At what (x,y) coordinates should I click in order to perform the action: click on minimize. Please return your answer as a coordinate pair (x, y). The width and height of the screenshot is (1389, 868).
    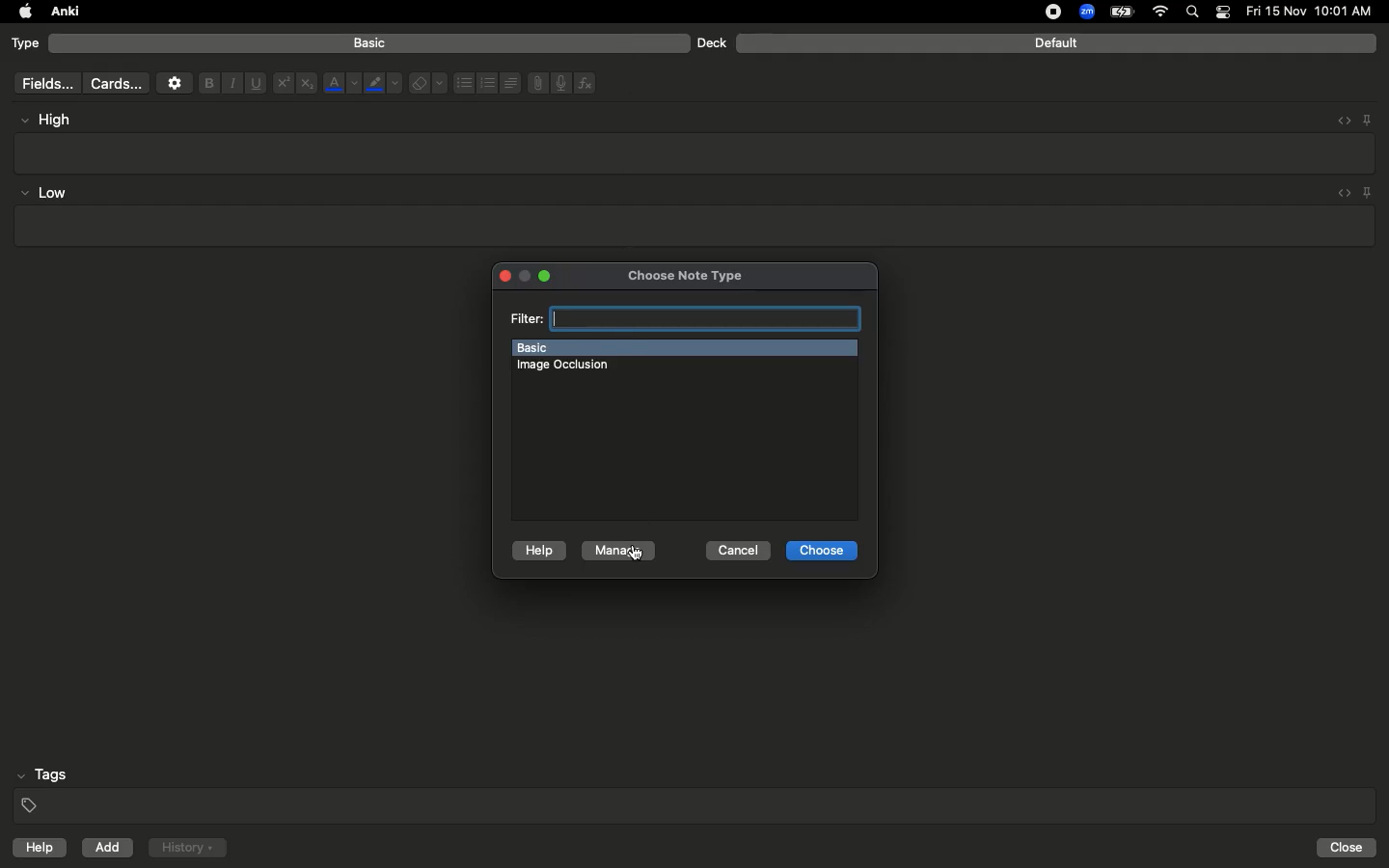
    Looking at the image, I should click on (525, 274).